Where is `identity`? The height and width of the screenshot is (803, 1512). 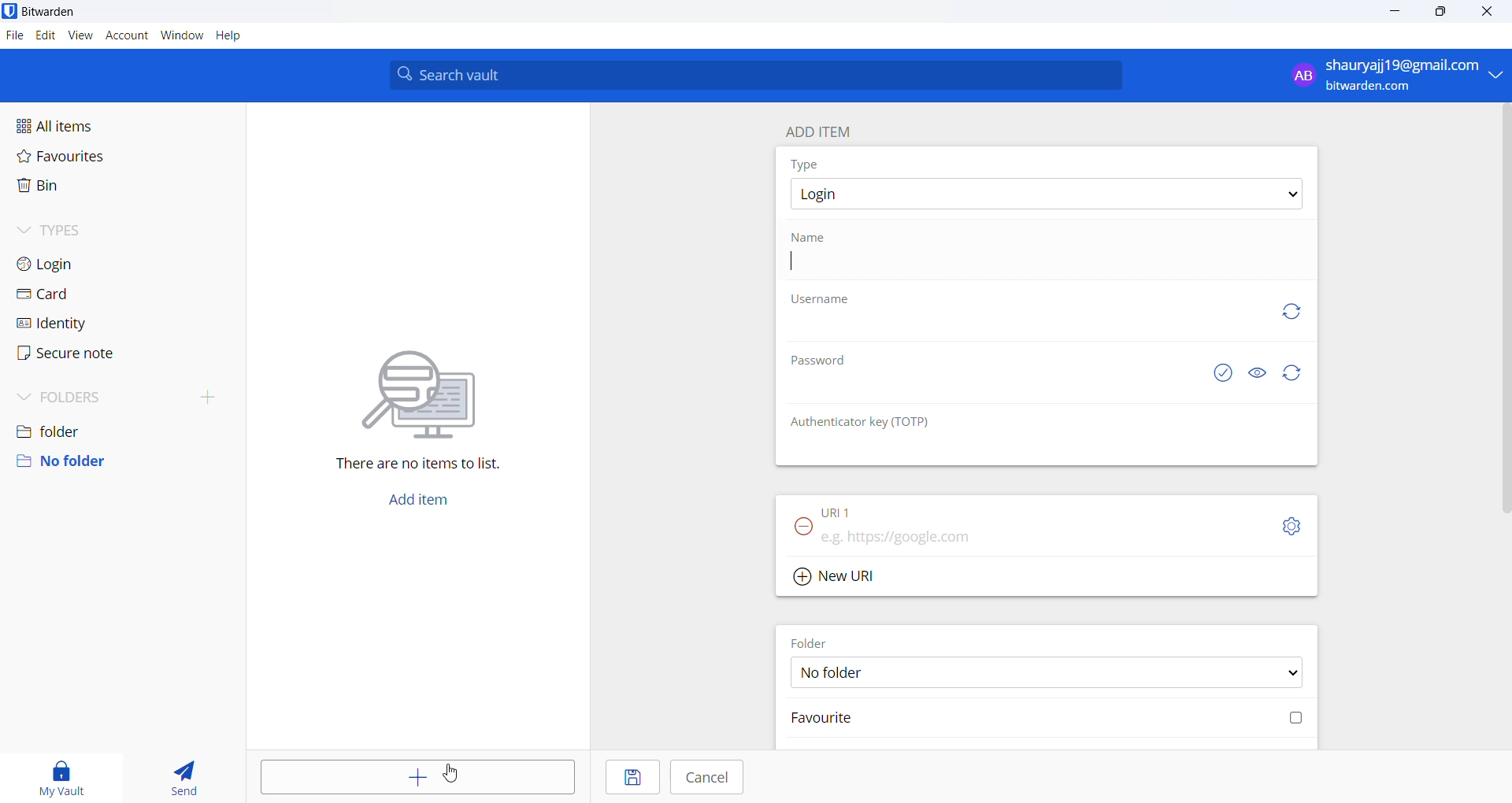 identity is located at coordinates (76, 324).